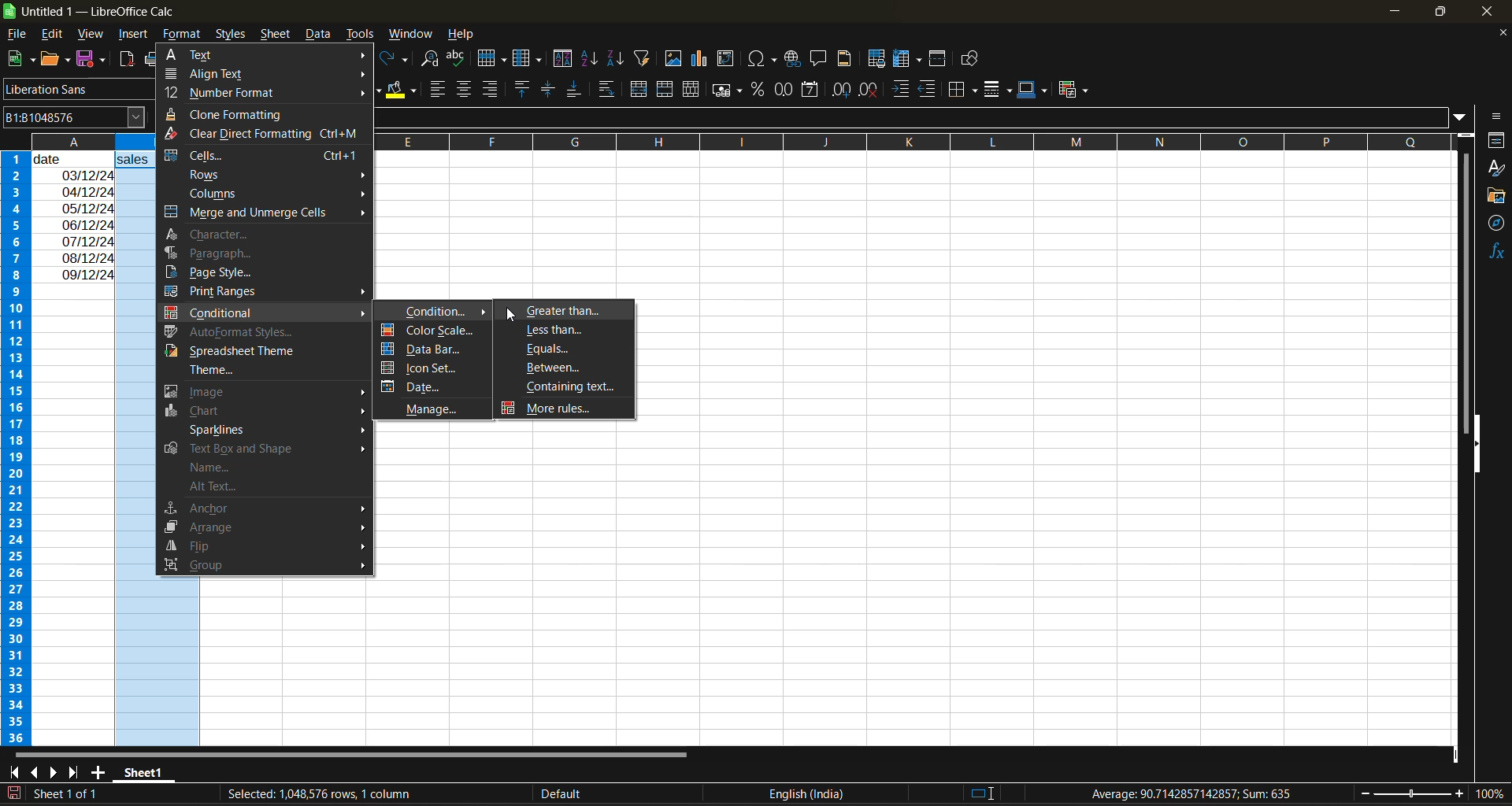 Image resolution: width=1512 pixels, height=806 pixels. I want to click on greater than, so click(566, 311).